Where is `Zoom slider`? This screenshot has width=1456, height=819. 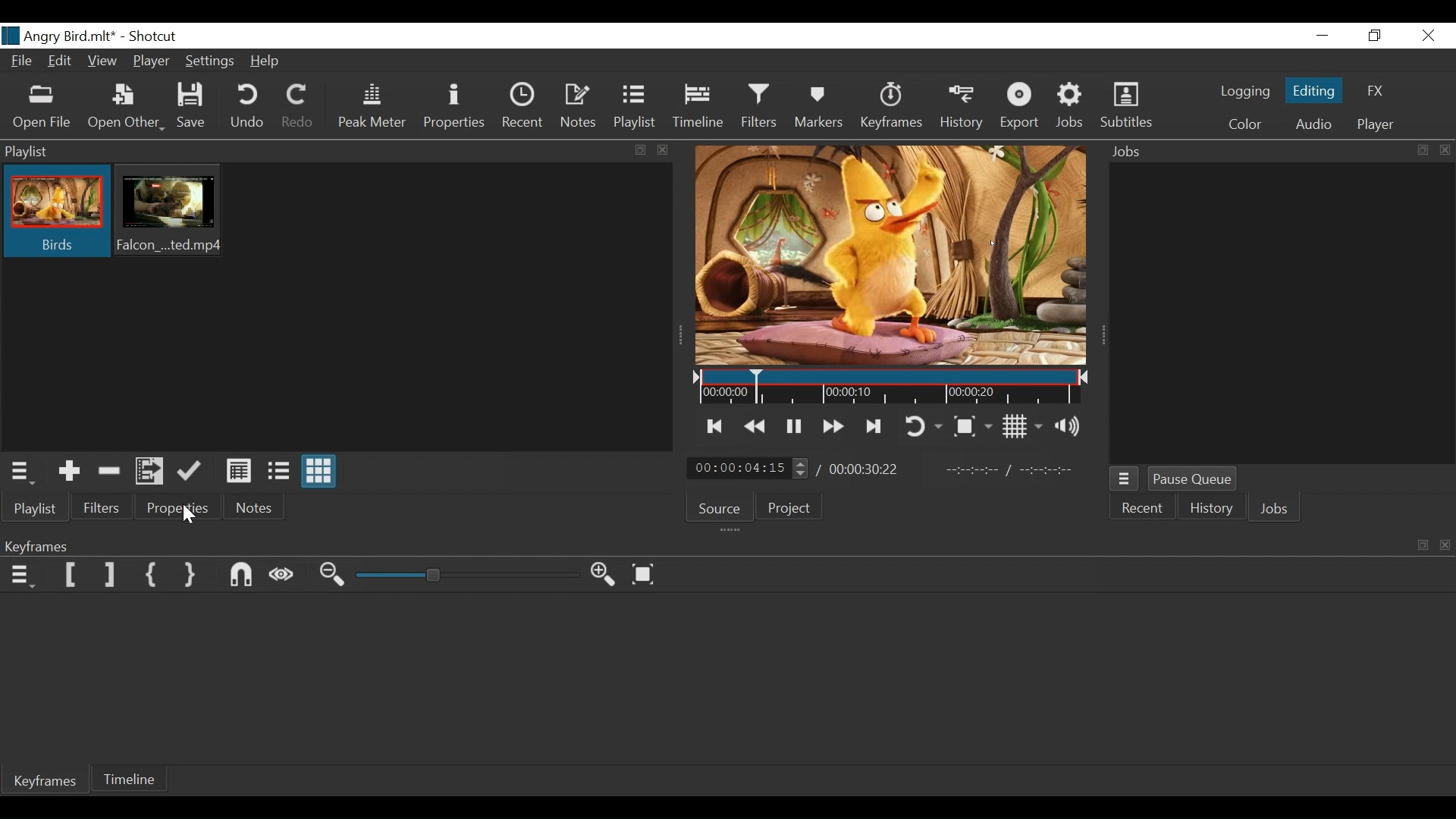
Zoom slider is located at coordinates (466, 576).